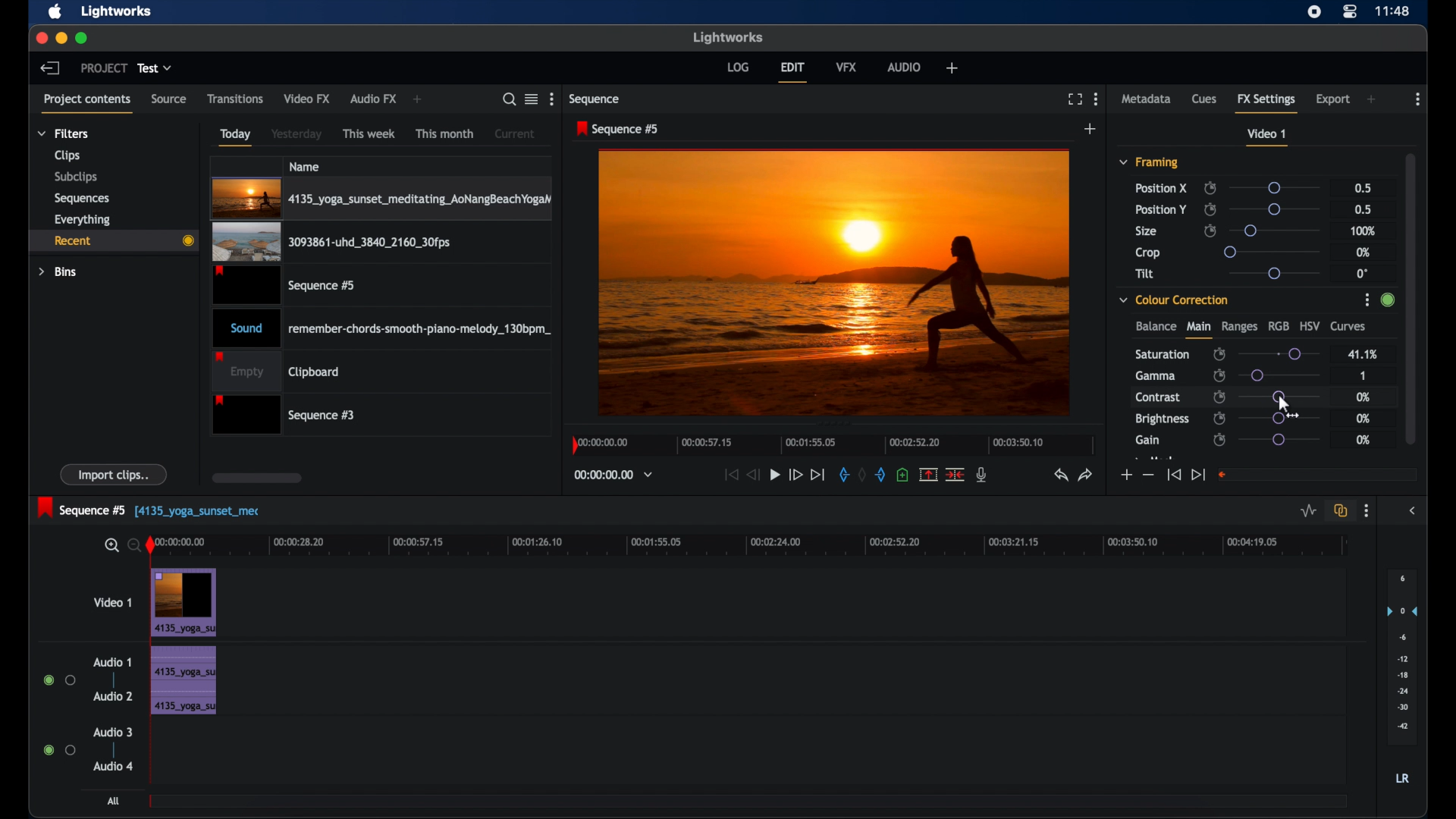 The image size is (1456, 819). I want to click on video preview, so click(836, 284).